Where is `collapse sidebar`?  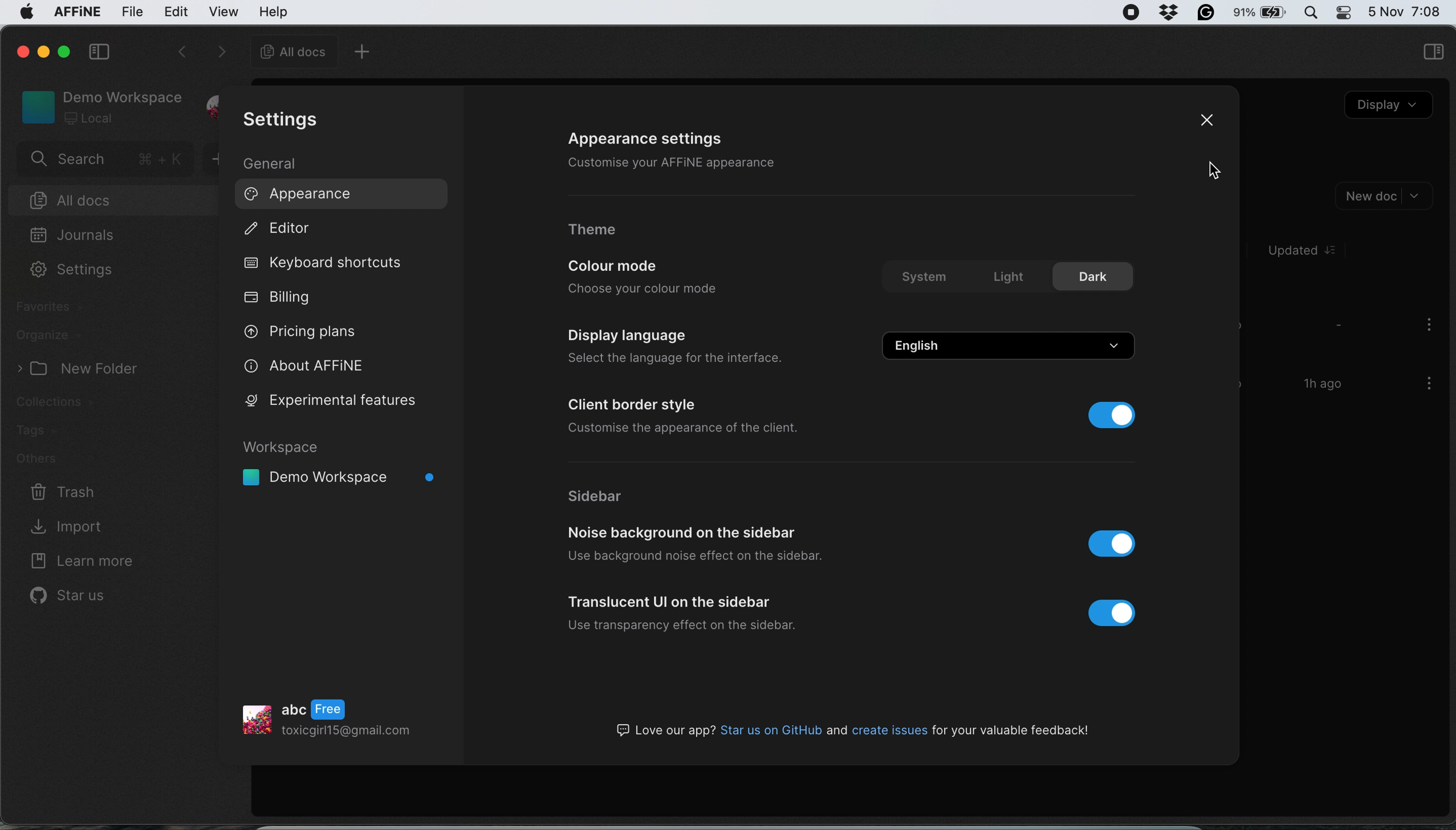 collapse sidebar is located at coordinates (99, 50).